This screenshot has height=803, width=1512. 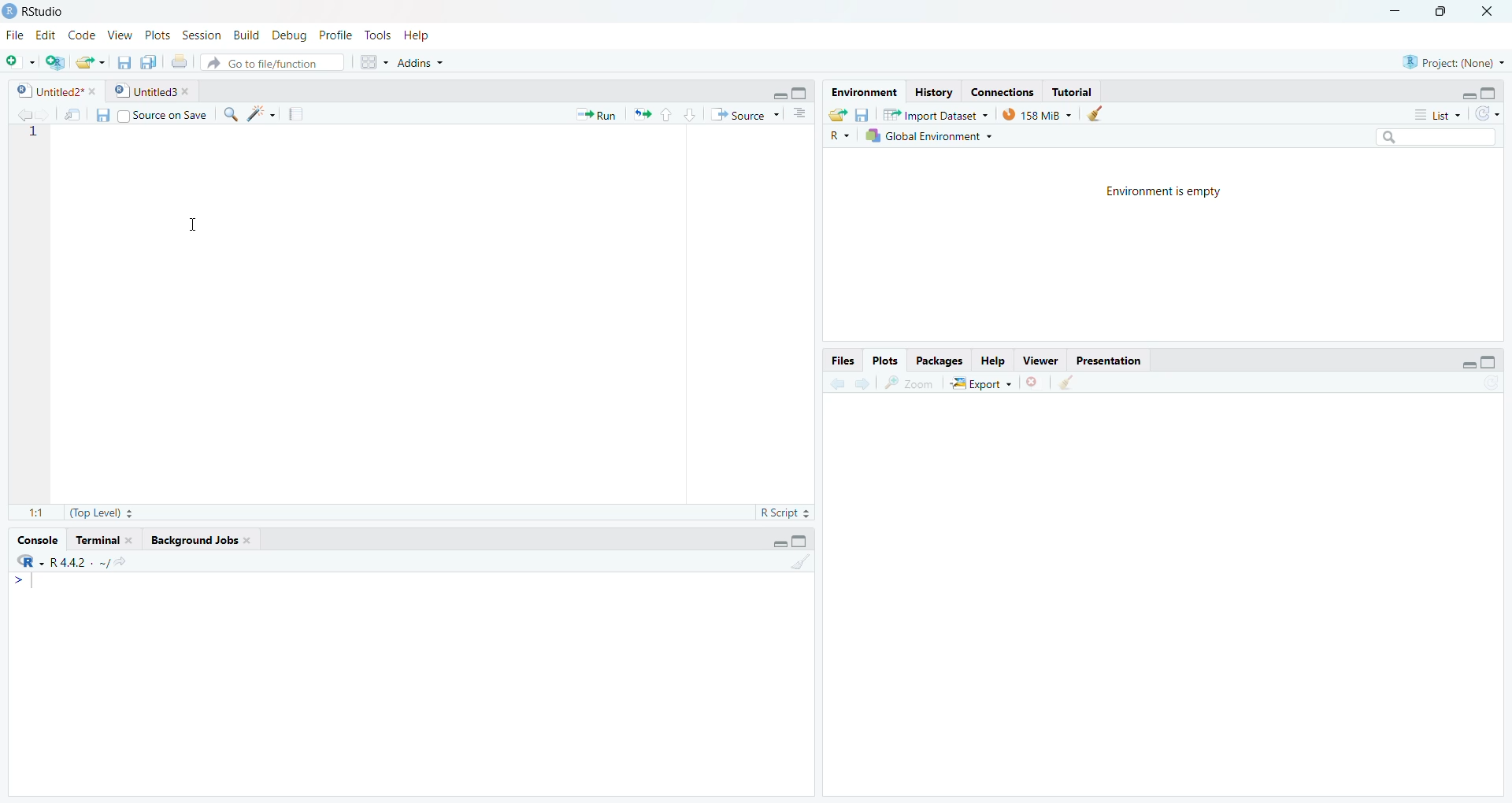 I want to click on R-4.A.2.-, so click(x=81, y=561).